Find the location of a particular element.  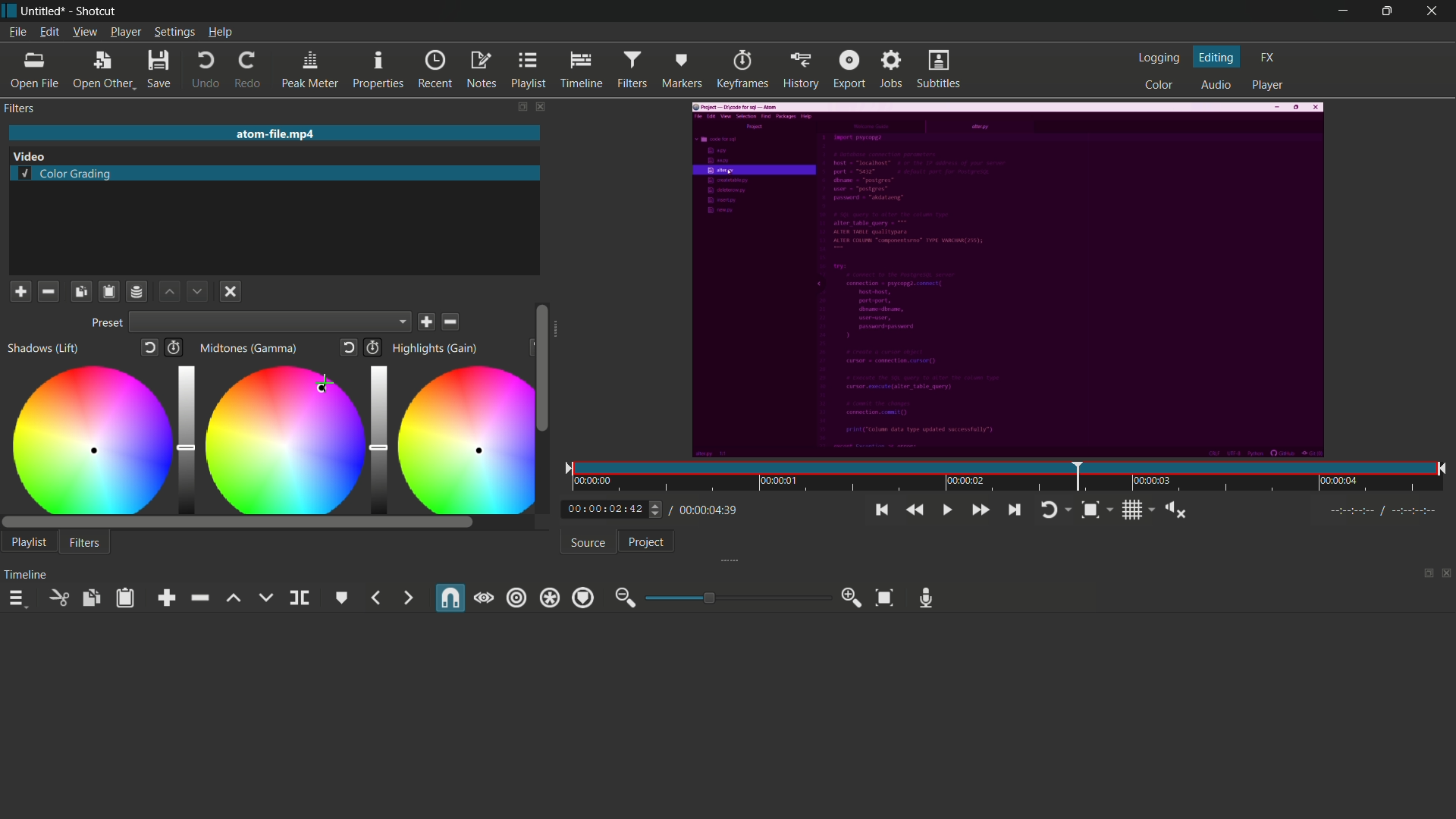

highlights(gain) is located at coordinates (437, 348).